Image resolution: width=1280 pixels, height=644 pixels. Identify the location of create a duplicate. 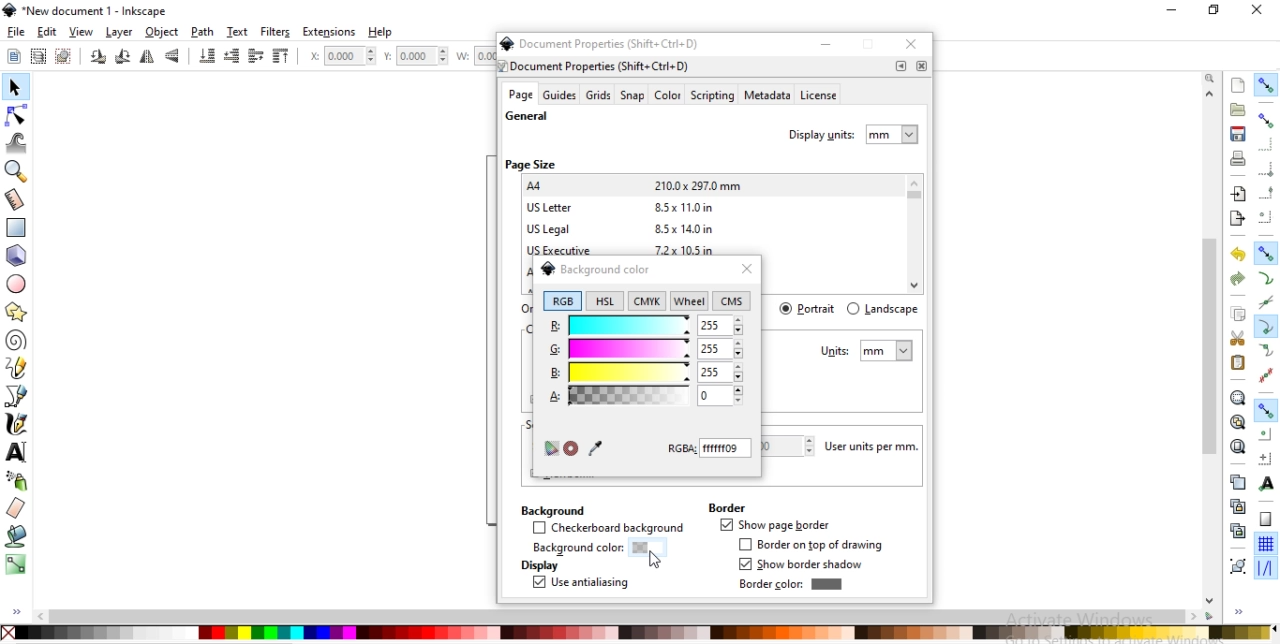
(1238, 483).